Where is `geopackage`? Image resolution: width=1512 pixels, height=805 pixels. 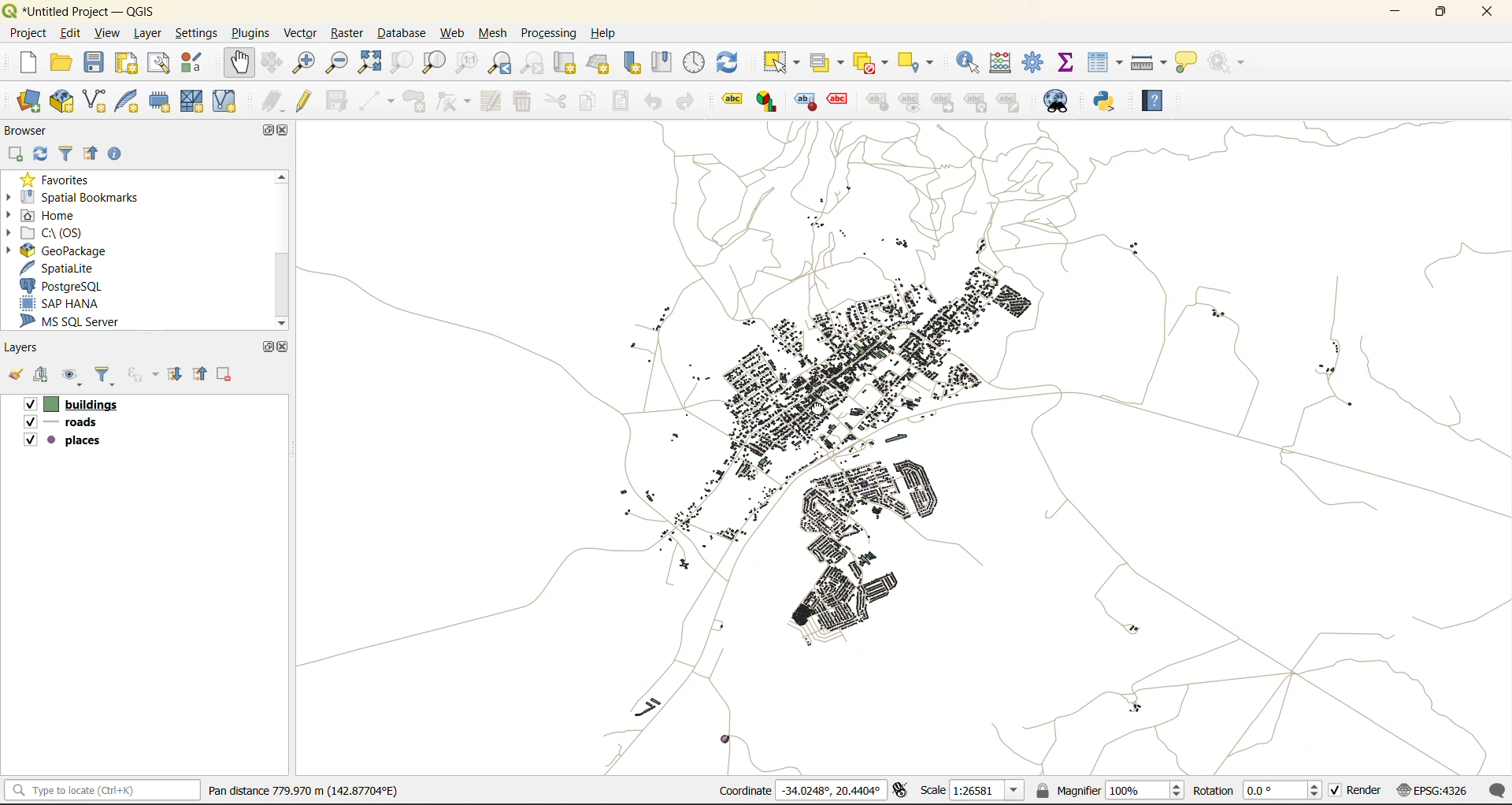 geopackage is located at coordinates (80, 250).